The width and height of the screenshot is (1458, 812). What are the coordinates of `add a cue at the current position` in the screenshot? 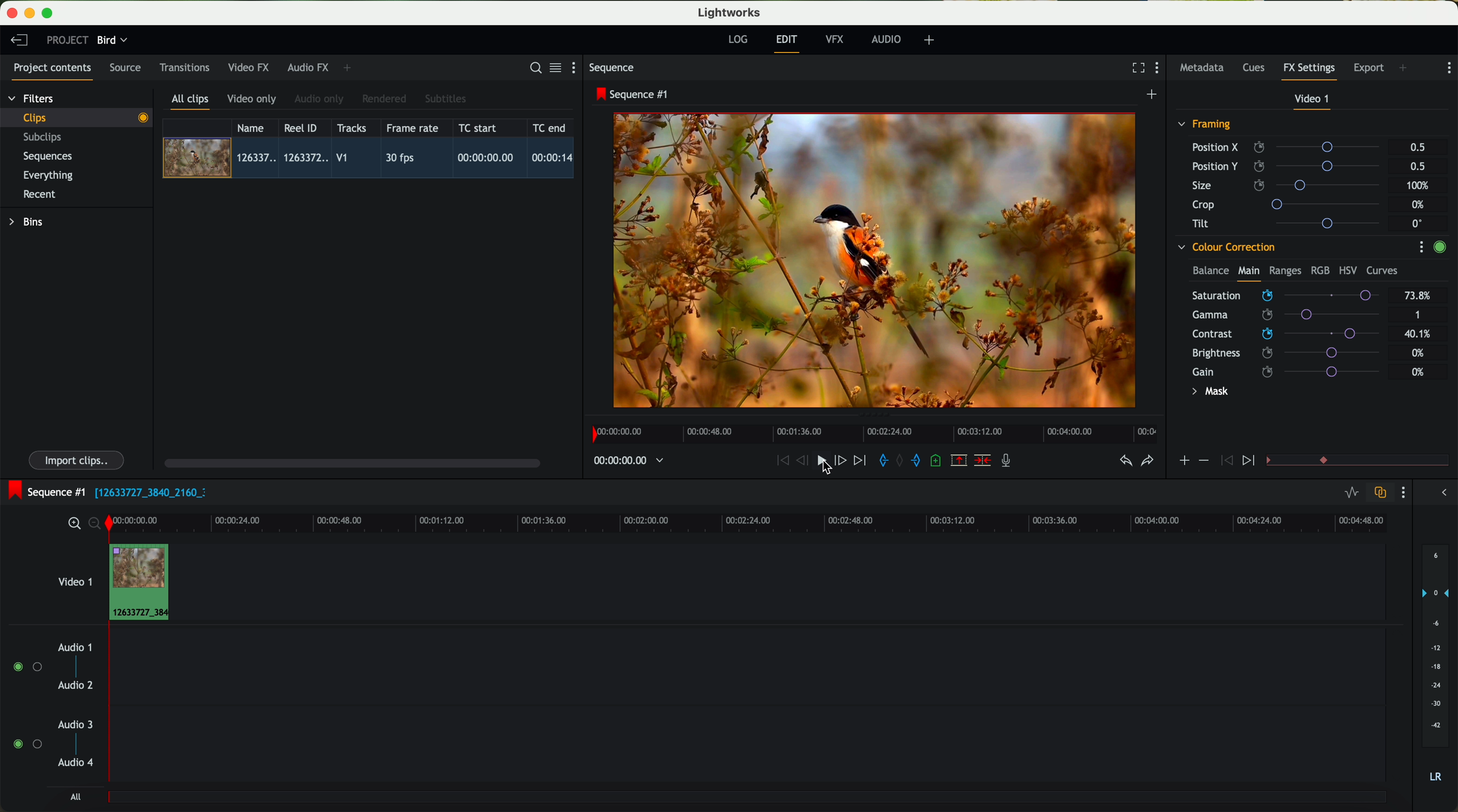 It's located at (937, 461).